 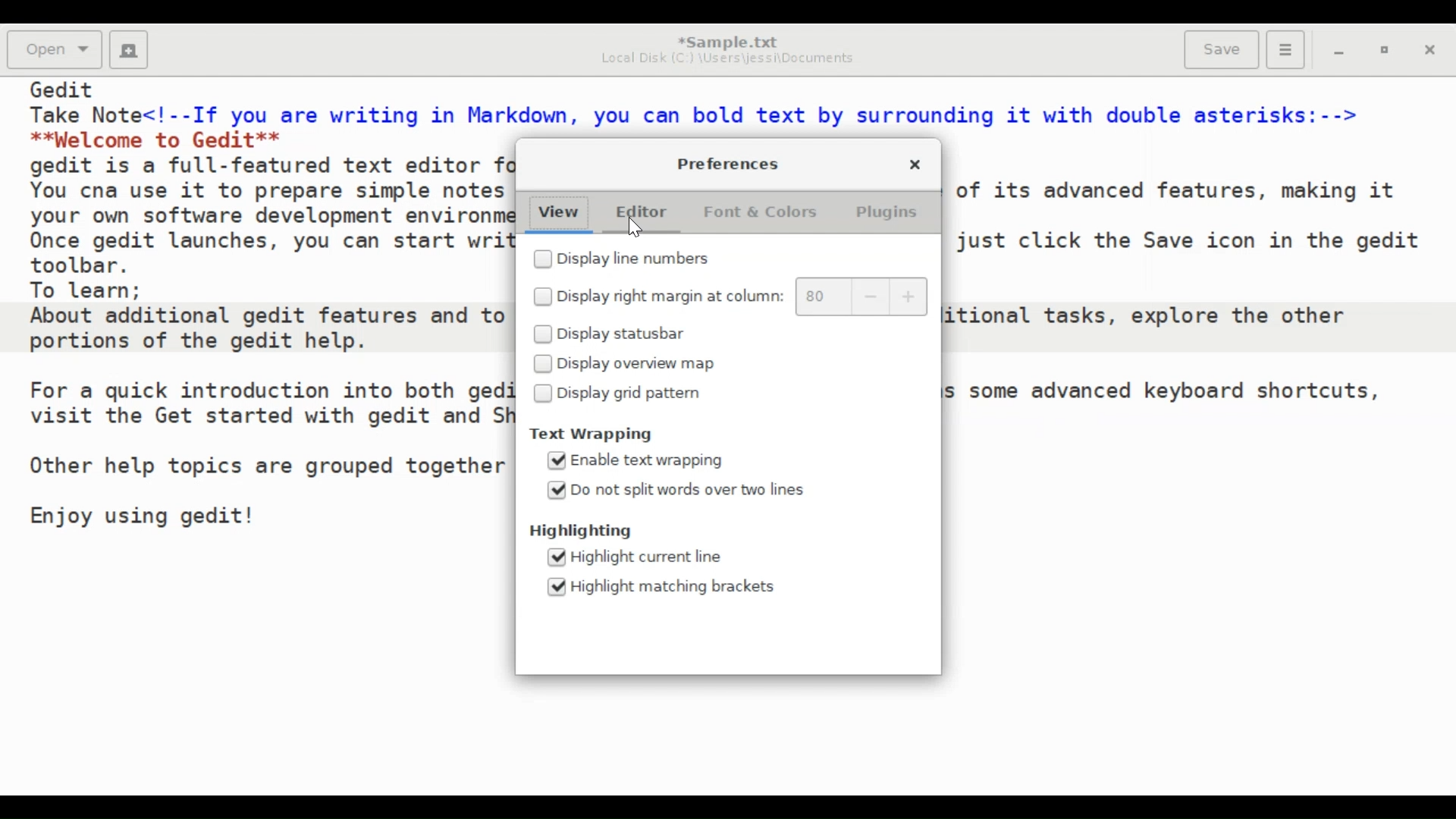 I want to click on Editor, so click(x=642, y=212).